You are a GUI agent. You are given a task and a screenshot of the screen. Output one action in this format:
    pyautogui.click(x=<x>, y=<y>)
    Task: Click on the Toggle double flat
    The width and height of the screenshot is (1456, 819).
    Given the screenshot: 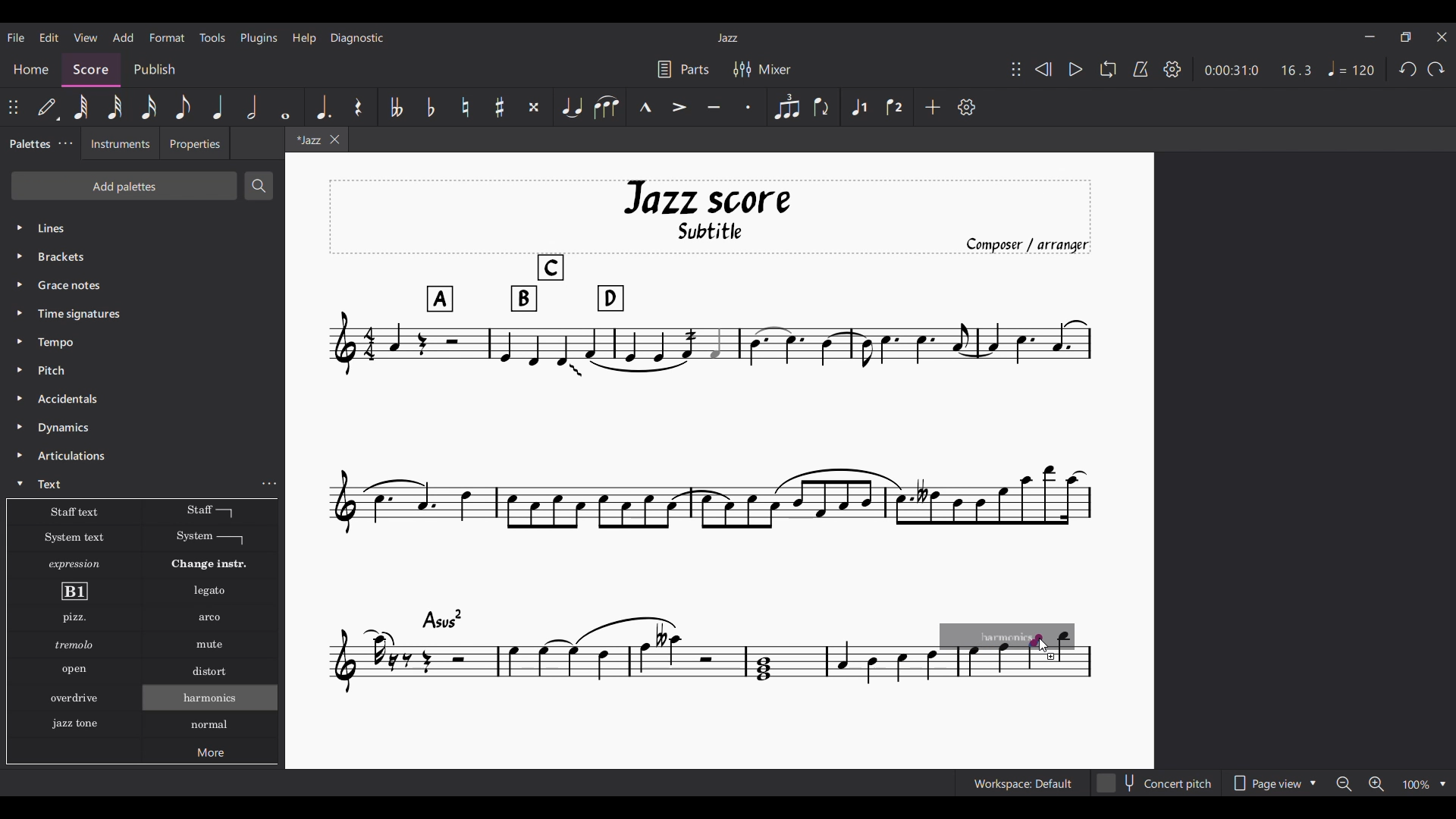 What is the action you would take?
    pyautogui.click(x=395, y=107)
    